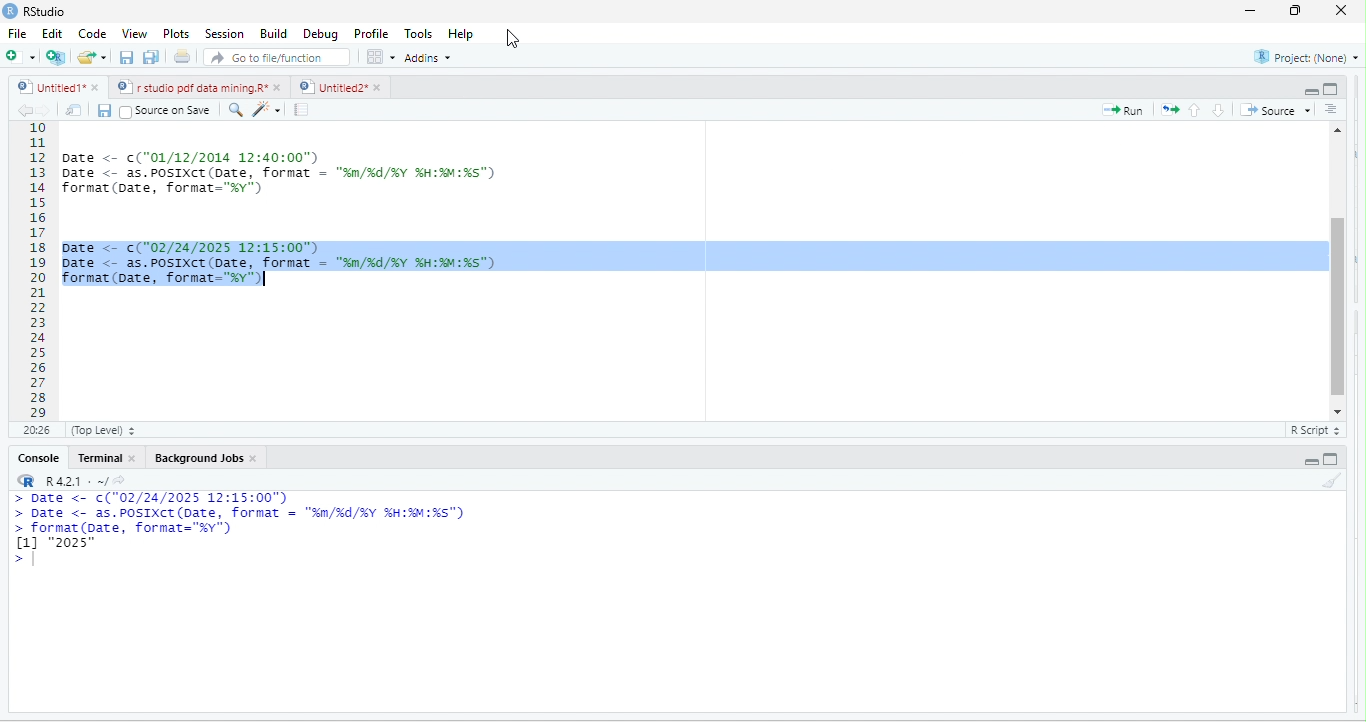  I want to click on scroll down, so click(1337, 411).